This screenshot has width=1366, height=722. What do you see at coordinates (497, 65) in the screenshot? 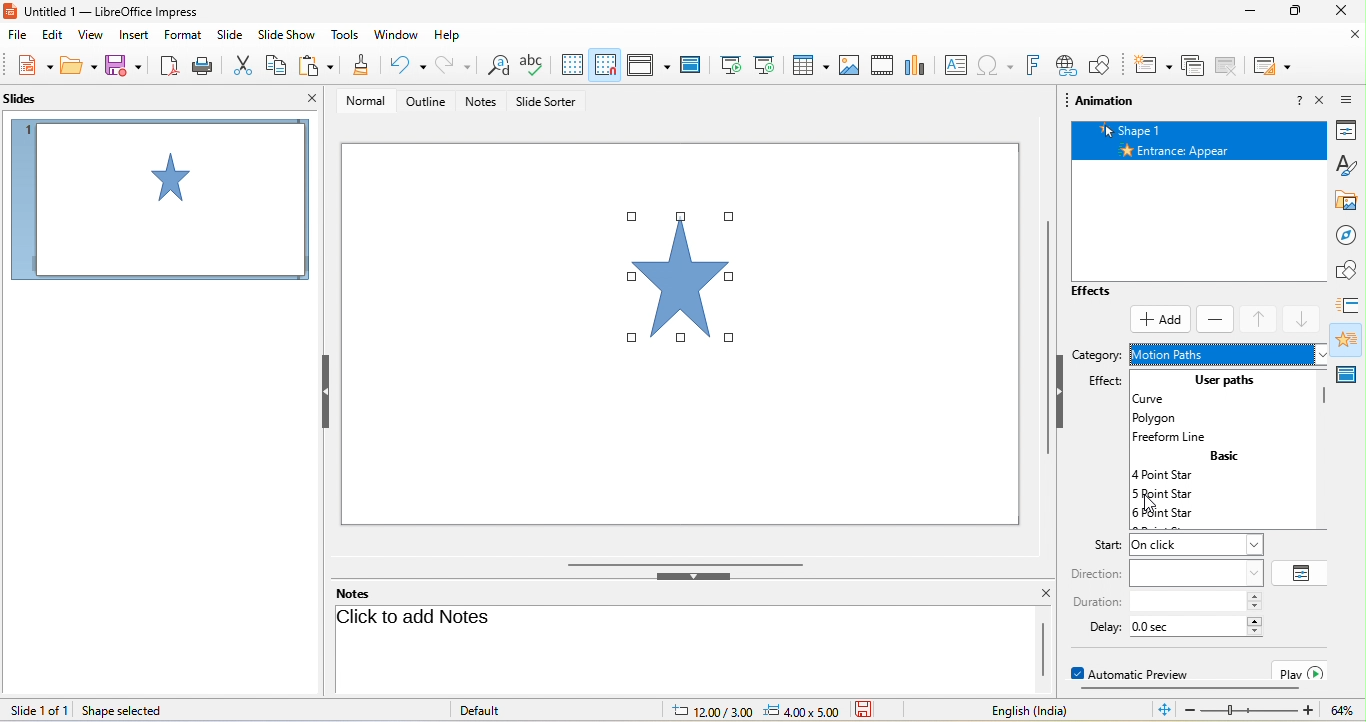
I see `find and replace` at bounding box center [497, 65].